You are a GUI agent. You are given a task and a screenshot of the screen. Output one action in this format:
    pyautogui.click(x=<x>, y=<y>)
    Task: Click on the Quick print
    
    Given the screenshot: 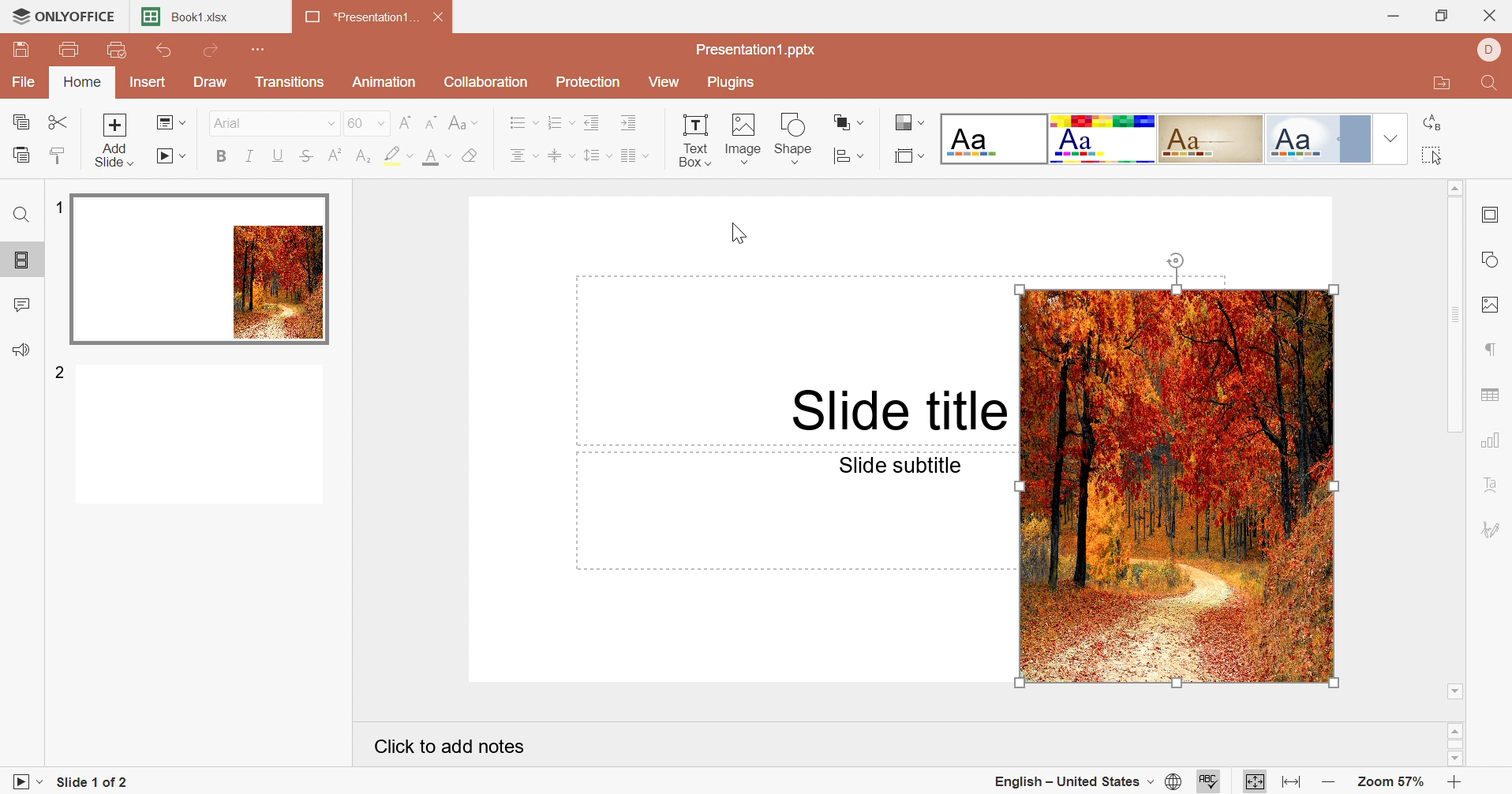 What is the action you would take?
    pyautogui.click(x=118, y=51)
    